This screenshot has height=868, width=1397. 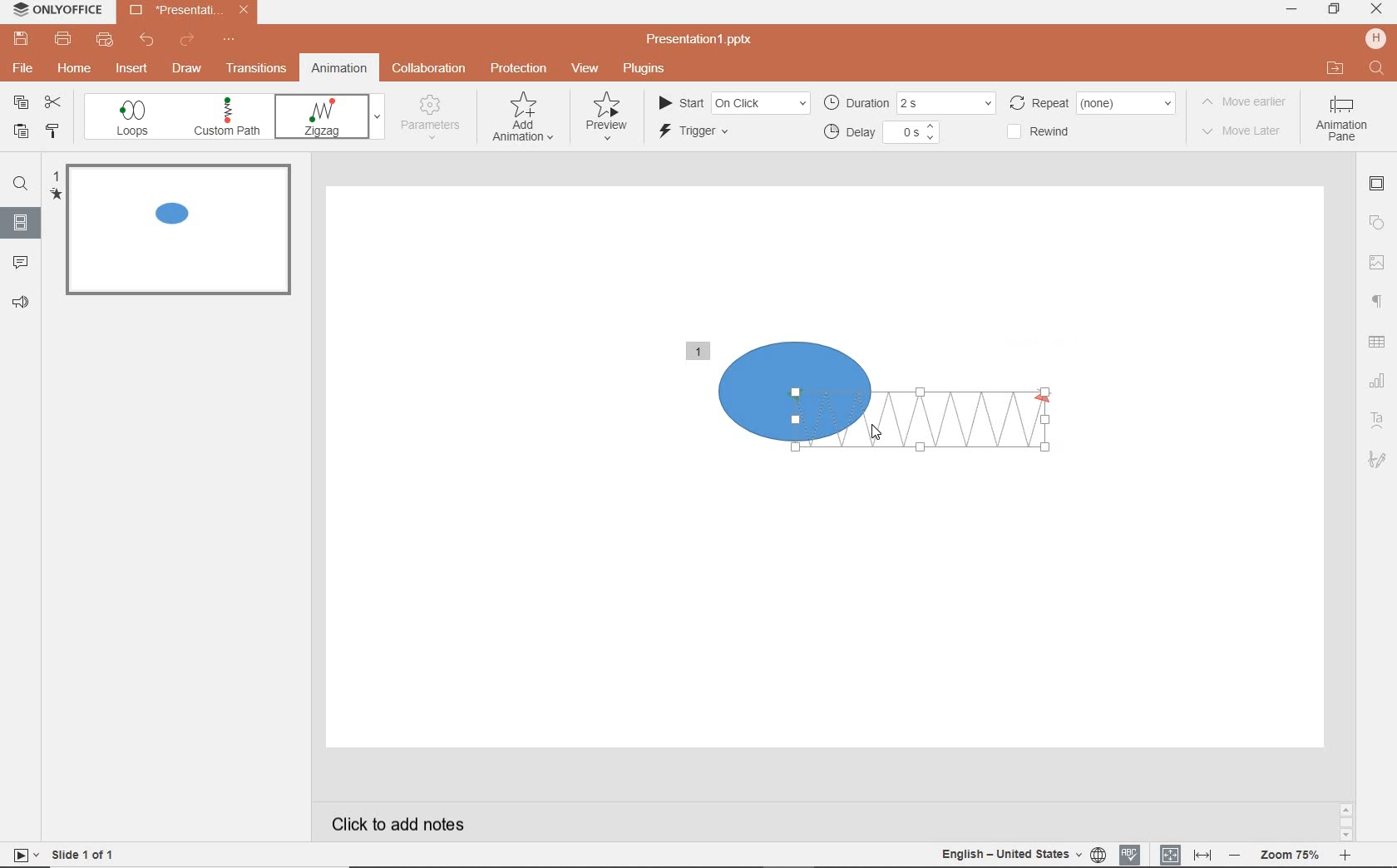 What do you see at coordinates (605, 121) in the screenshot?
I see `preview` at bounding box center [605, 121].